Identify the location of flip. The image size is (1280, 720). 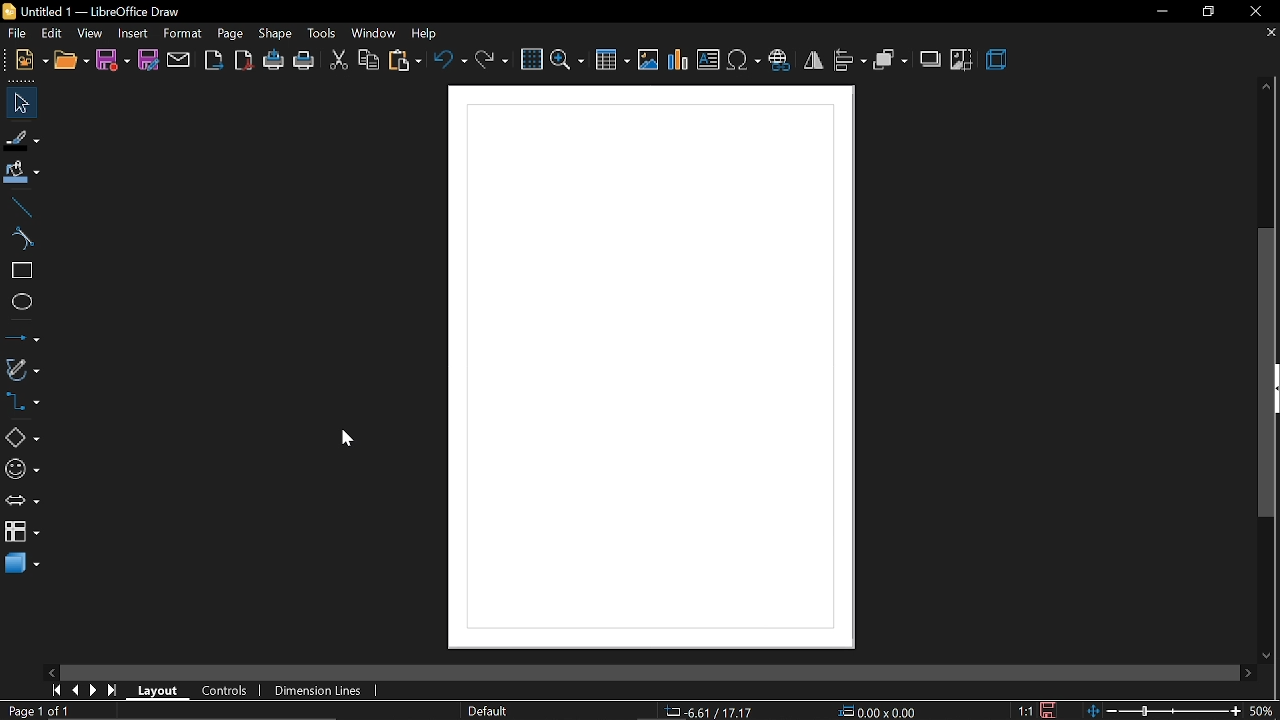
(815, 60).